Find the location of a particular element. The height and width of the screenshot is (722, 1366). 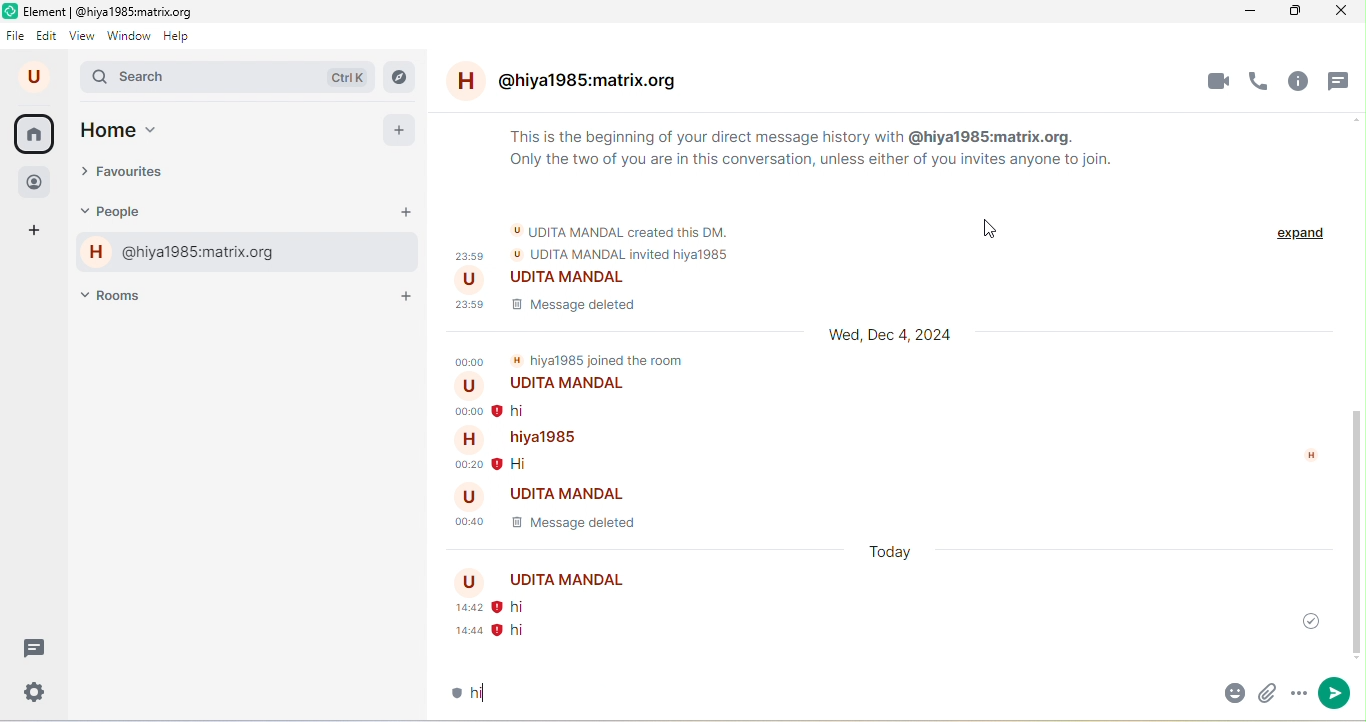

hi is located at coordinates (532, 411).